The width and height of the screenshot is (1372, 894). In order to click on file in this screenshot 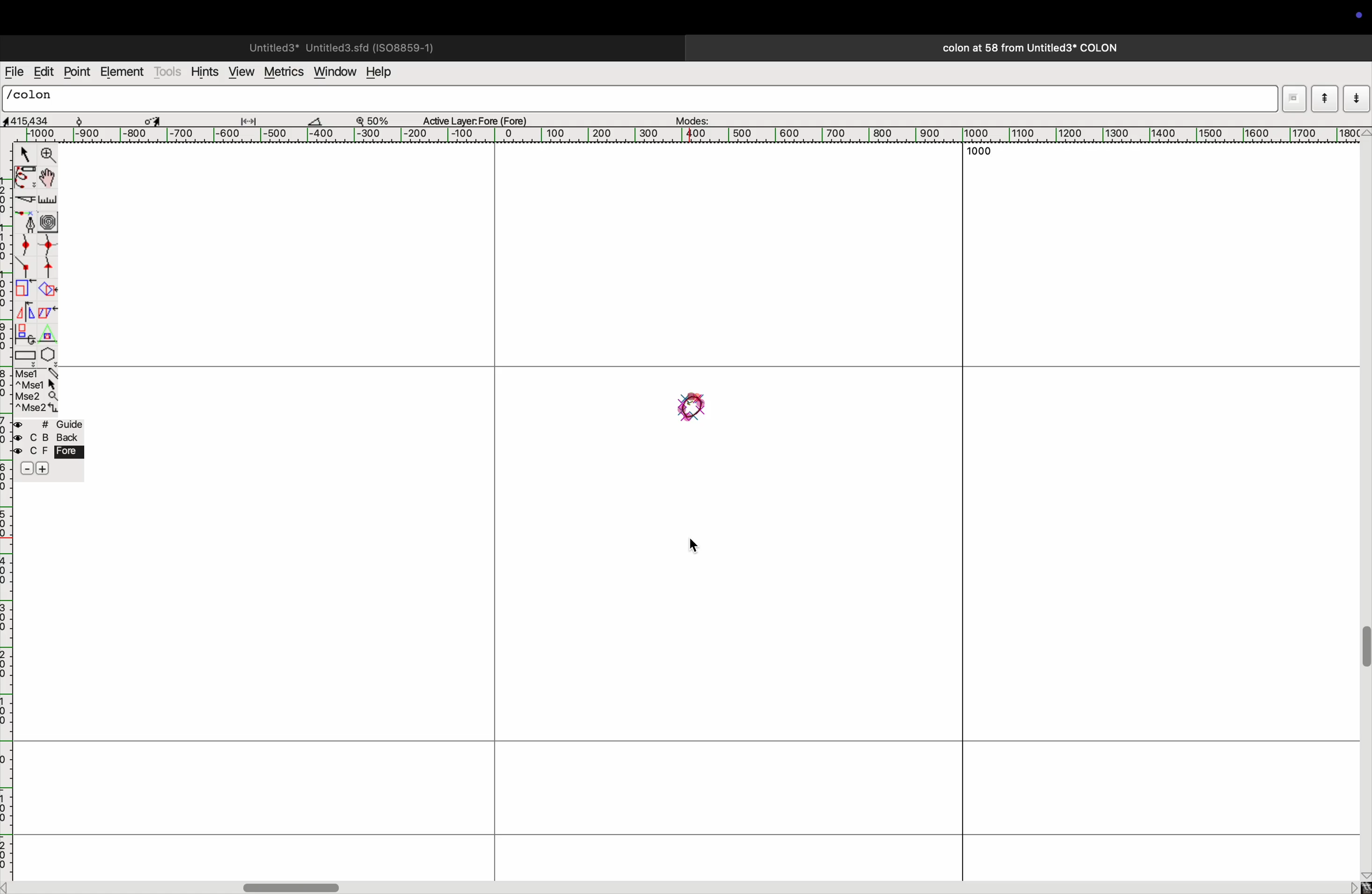, I will do `click(14, 72)`.